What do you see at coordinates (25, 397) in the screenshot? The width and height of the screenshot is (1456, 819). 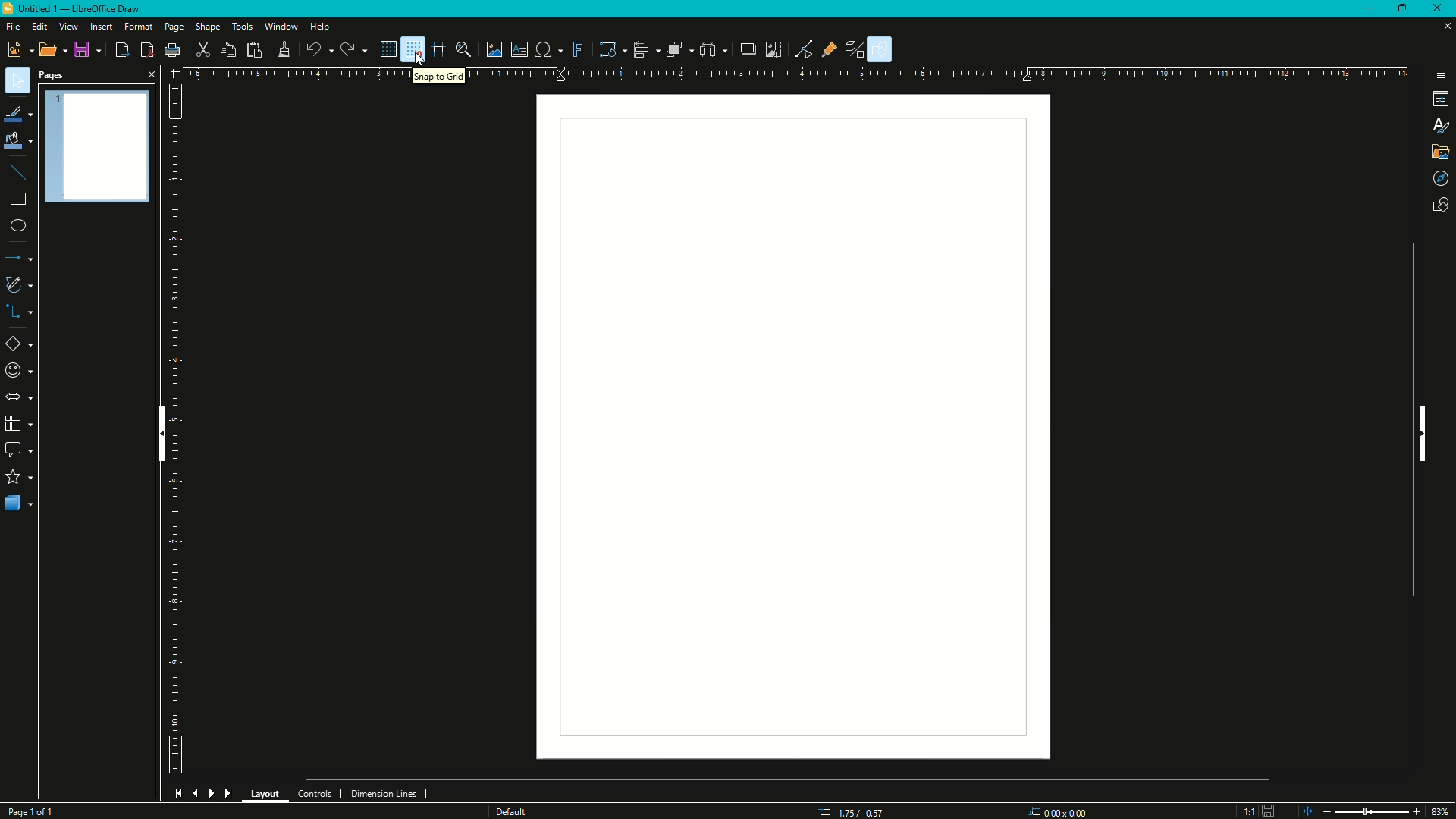 I see `Block arrows` at bounding box center [25, 397].